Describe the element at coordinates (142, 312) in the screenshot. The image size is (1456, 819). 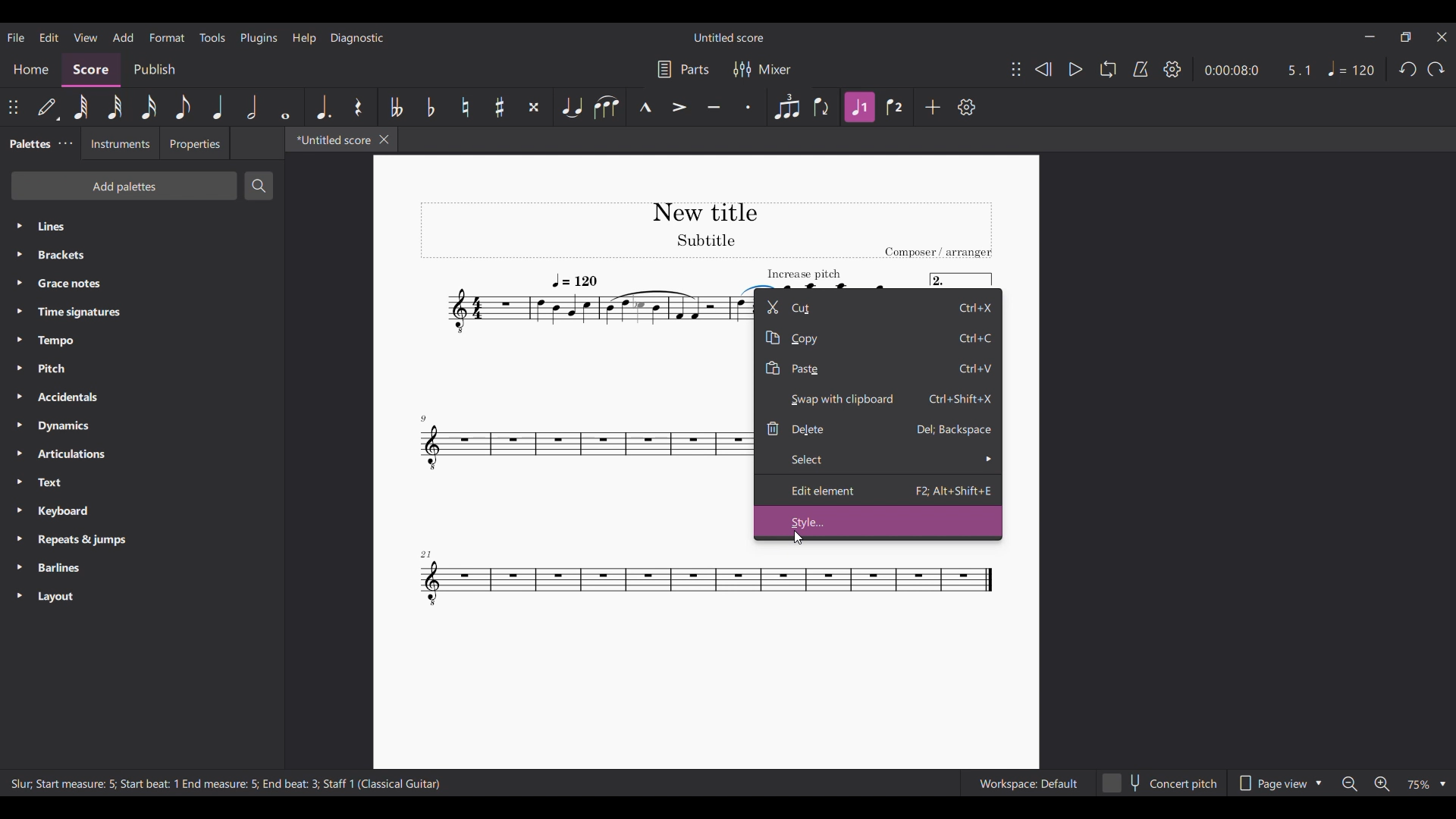
I see `Time signatures` at that location.